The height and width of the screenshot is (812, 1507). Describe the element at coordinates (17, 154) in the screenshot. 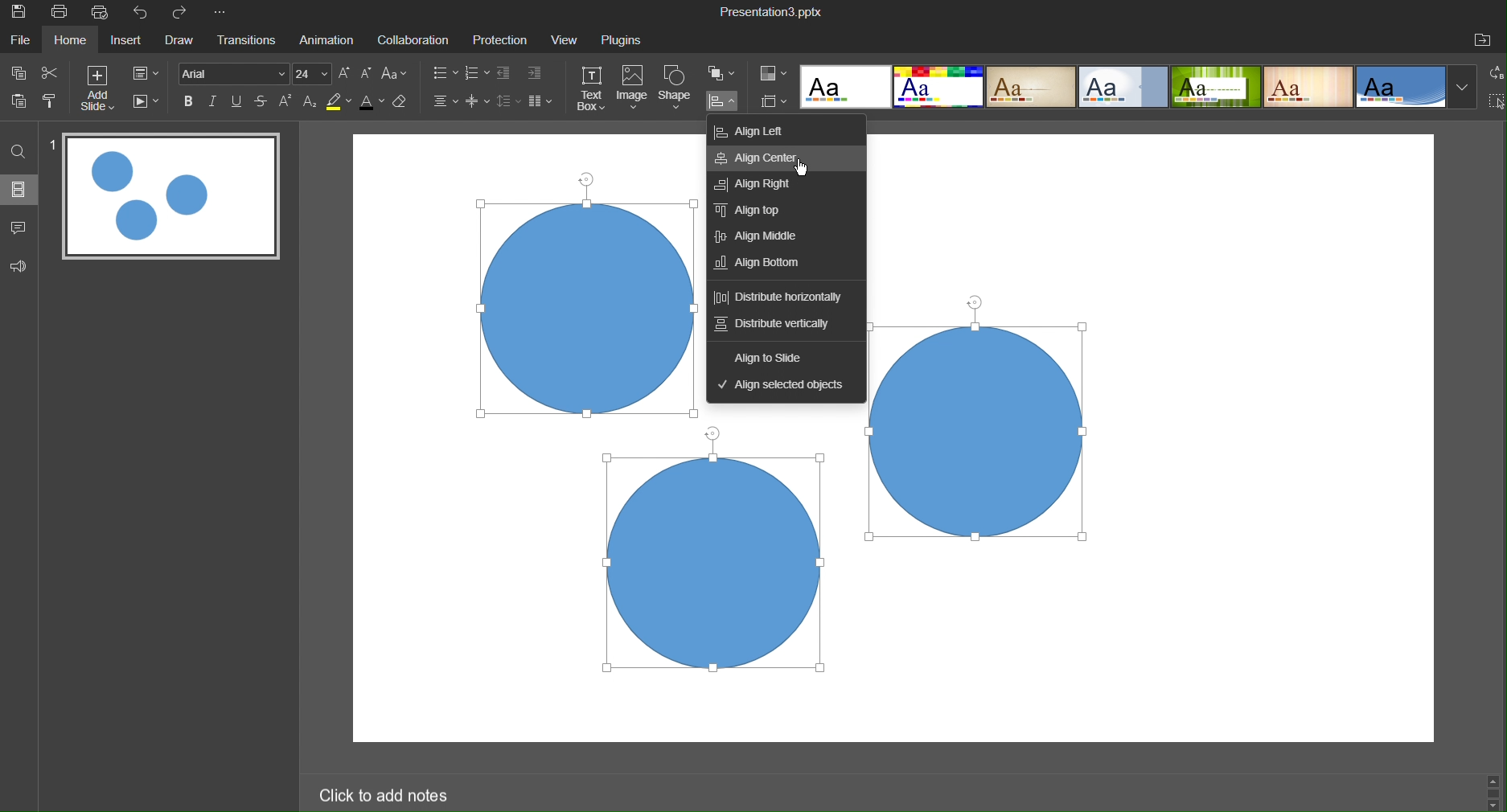

I see `Find` at that location.